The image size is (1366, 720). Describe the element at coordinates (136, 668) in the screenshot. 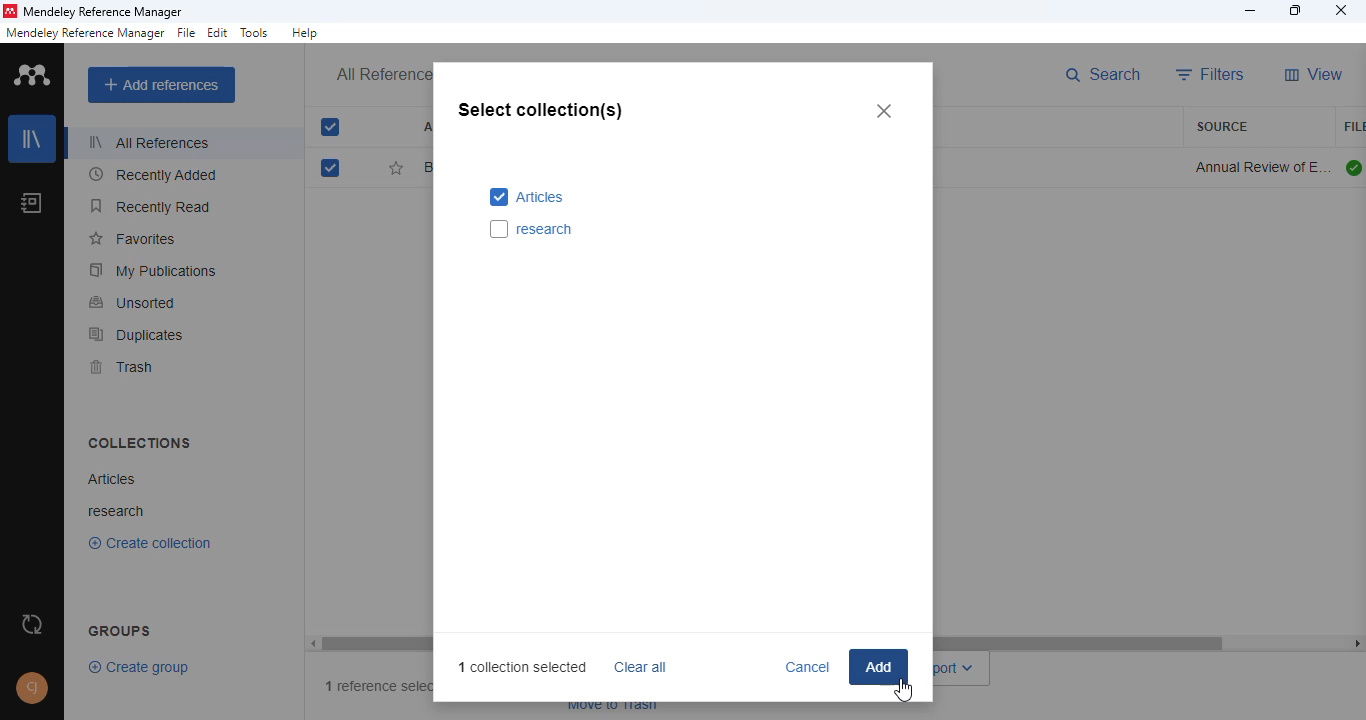

I see `create group` at that location.